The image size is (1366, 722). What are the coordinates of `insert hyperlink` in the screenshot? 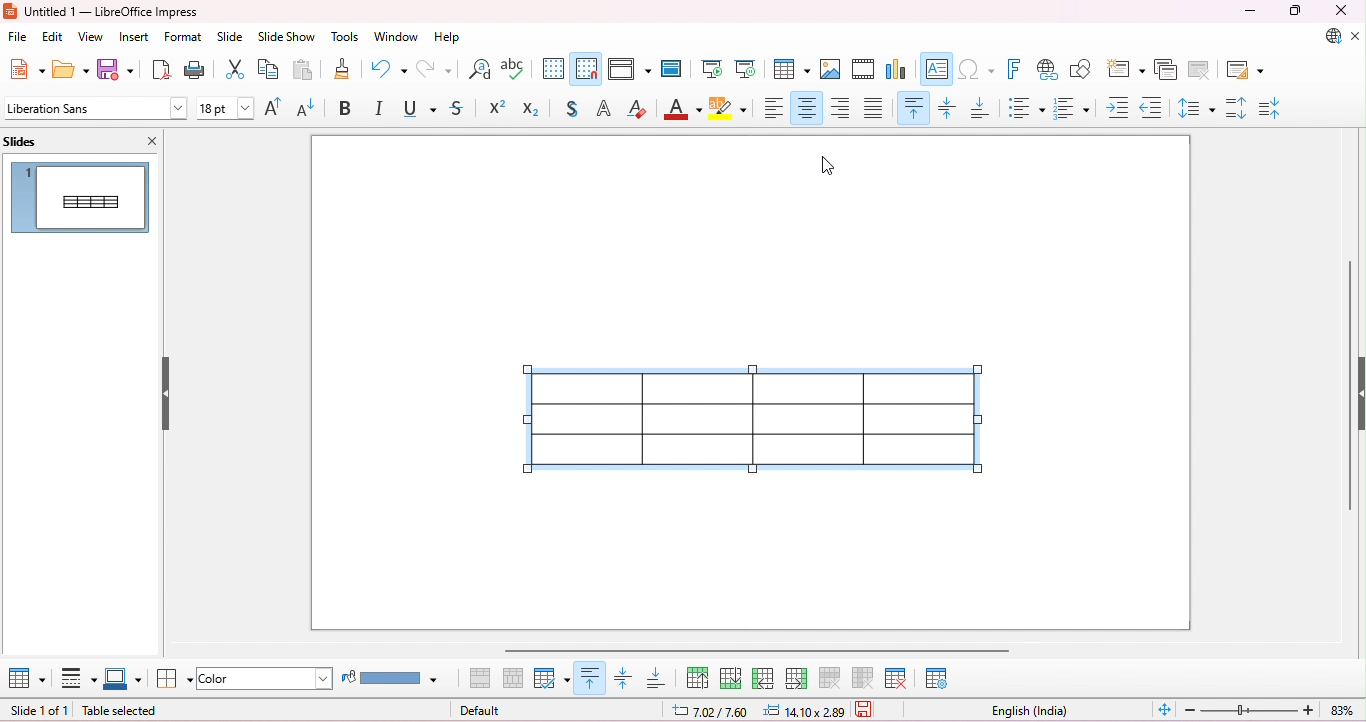 It's located at (1048, 70).